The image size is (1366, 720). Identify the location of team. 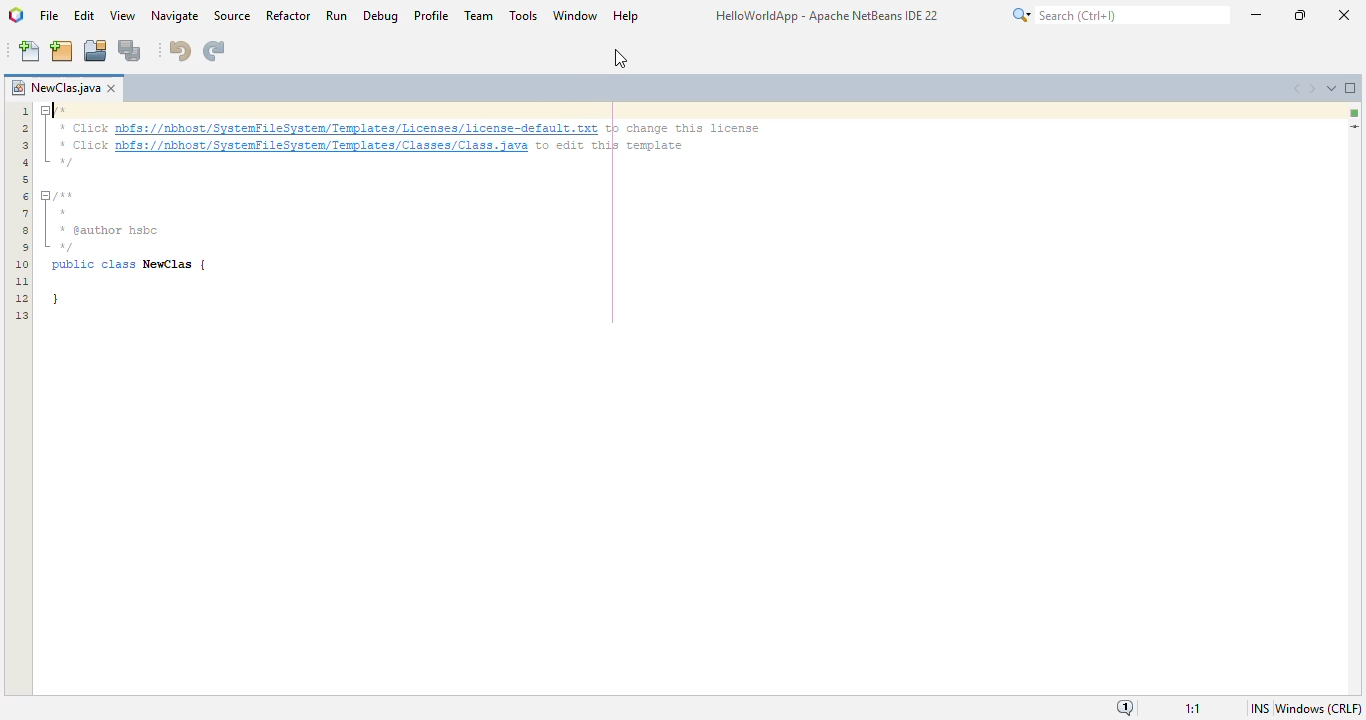
(479, 15).